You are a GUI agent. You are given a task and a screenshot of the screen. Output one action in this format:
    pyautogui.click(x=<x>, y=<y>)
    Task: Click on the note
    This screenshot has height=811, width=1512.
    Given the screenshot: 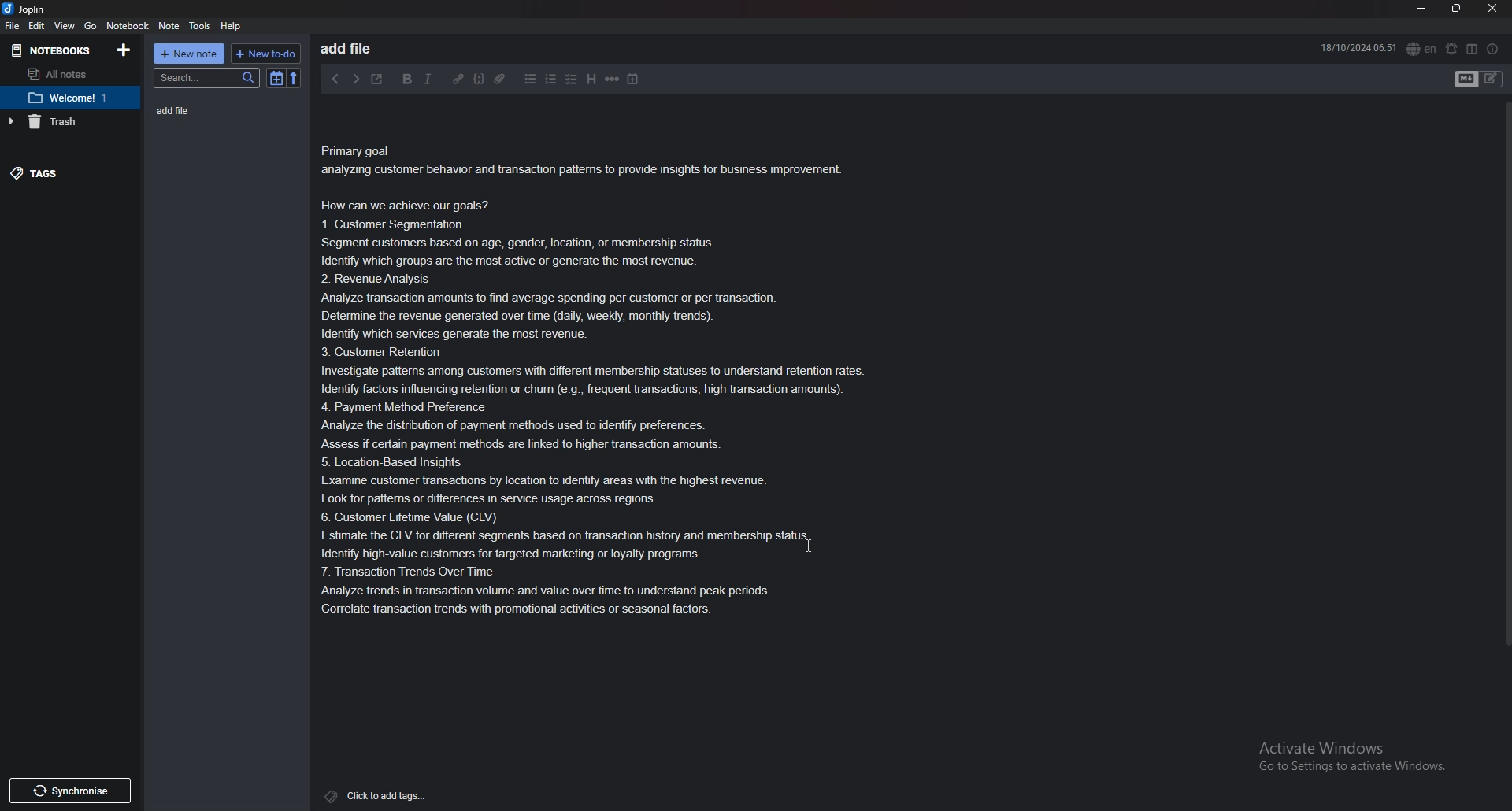 What is the action you would take?
    pyautogui.click(x=203, y=111)
    